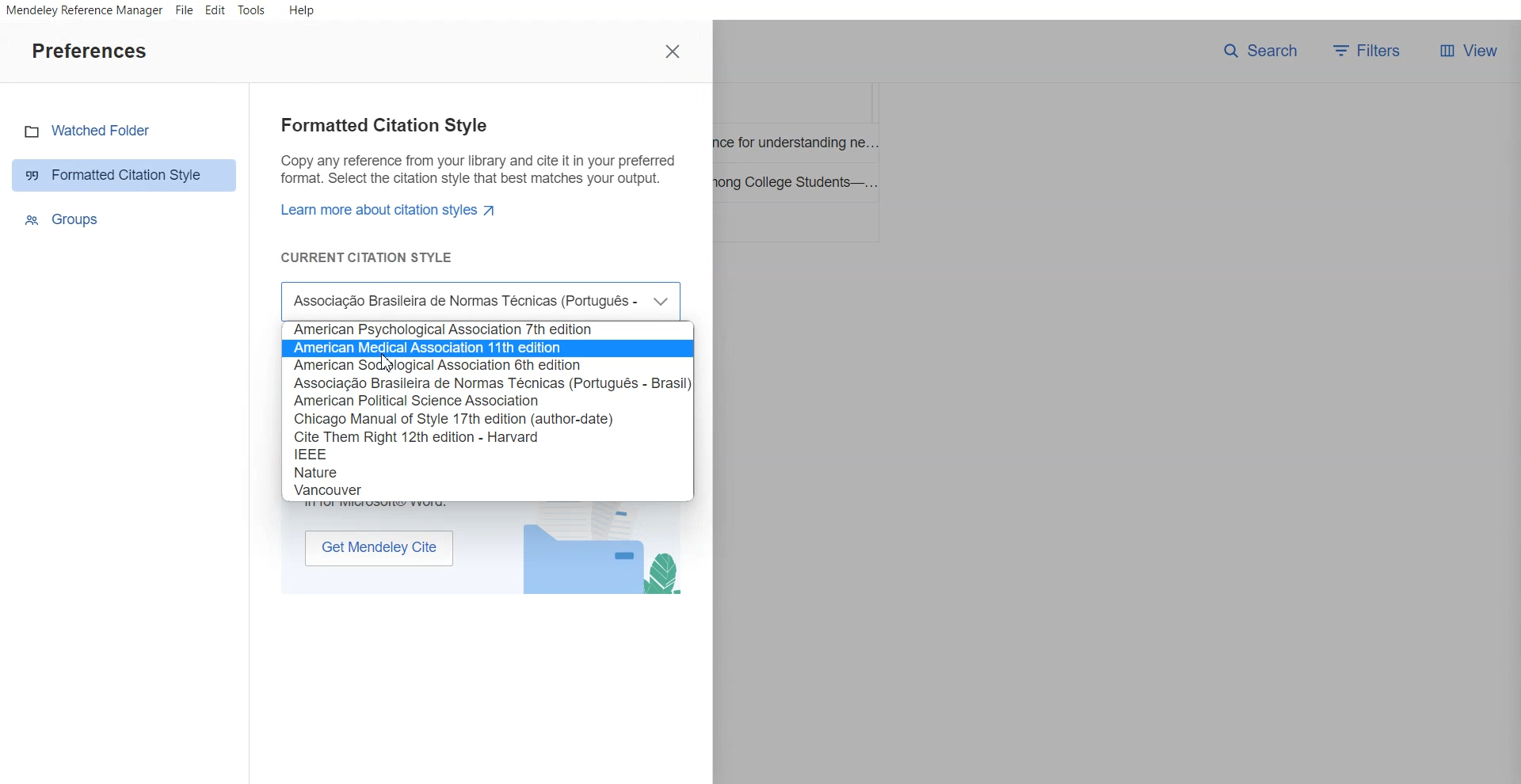 Image resolution: width=1521 pixels, height=784 pixels. Describe the element at coordinates (124, 131) in the screenshot. I see `Watched Folder` at that location.